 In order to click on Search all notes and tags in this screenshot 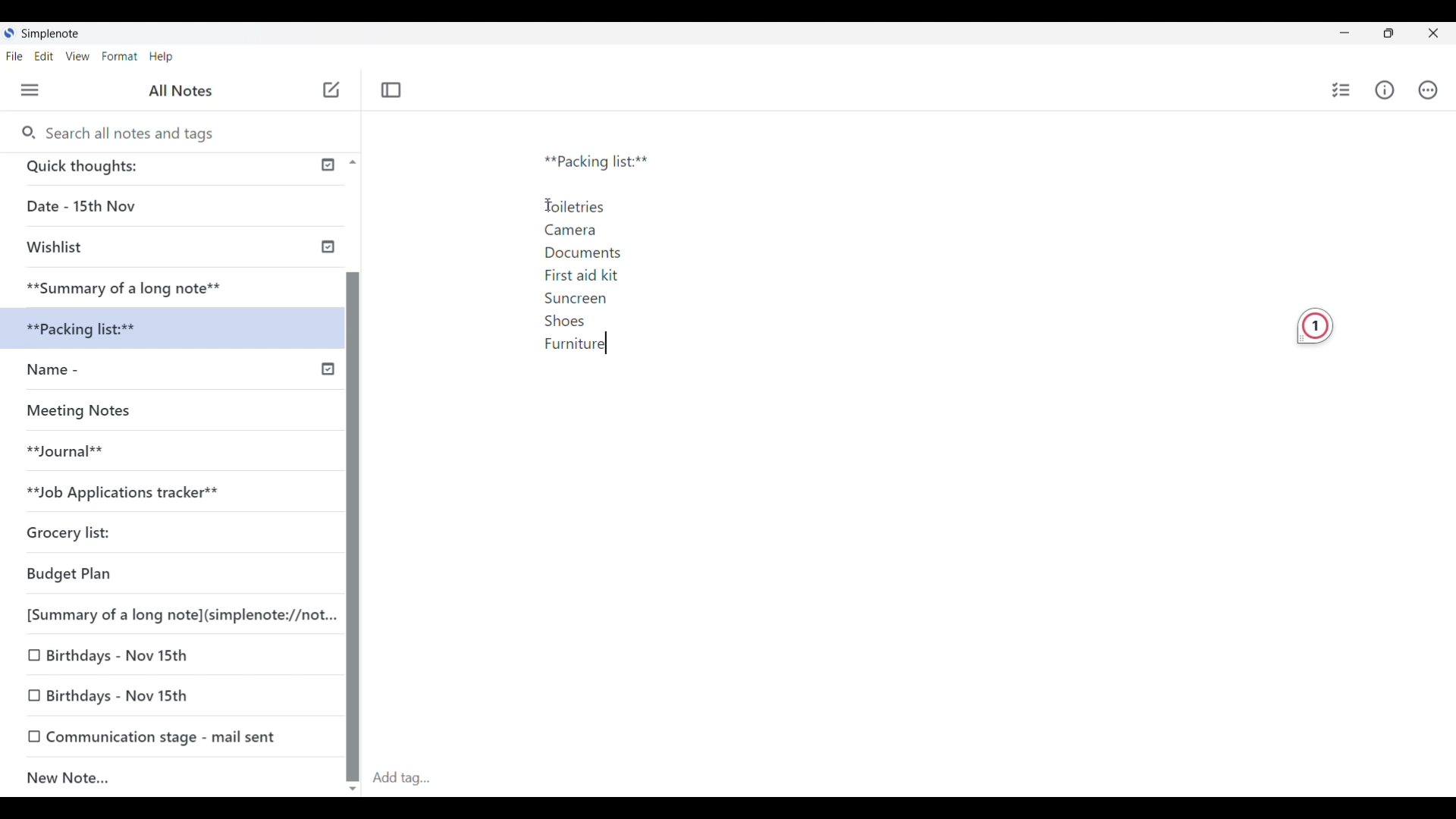, I will do `click(134, 133)`.